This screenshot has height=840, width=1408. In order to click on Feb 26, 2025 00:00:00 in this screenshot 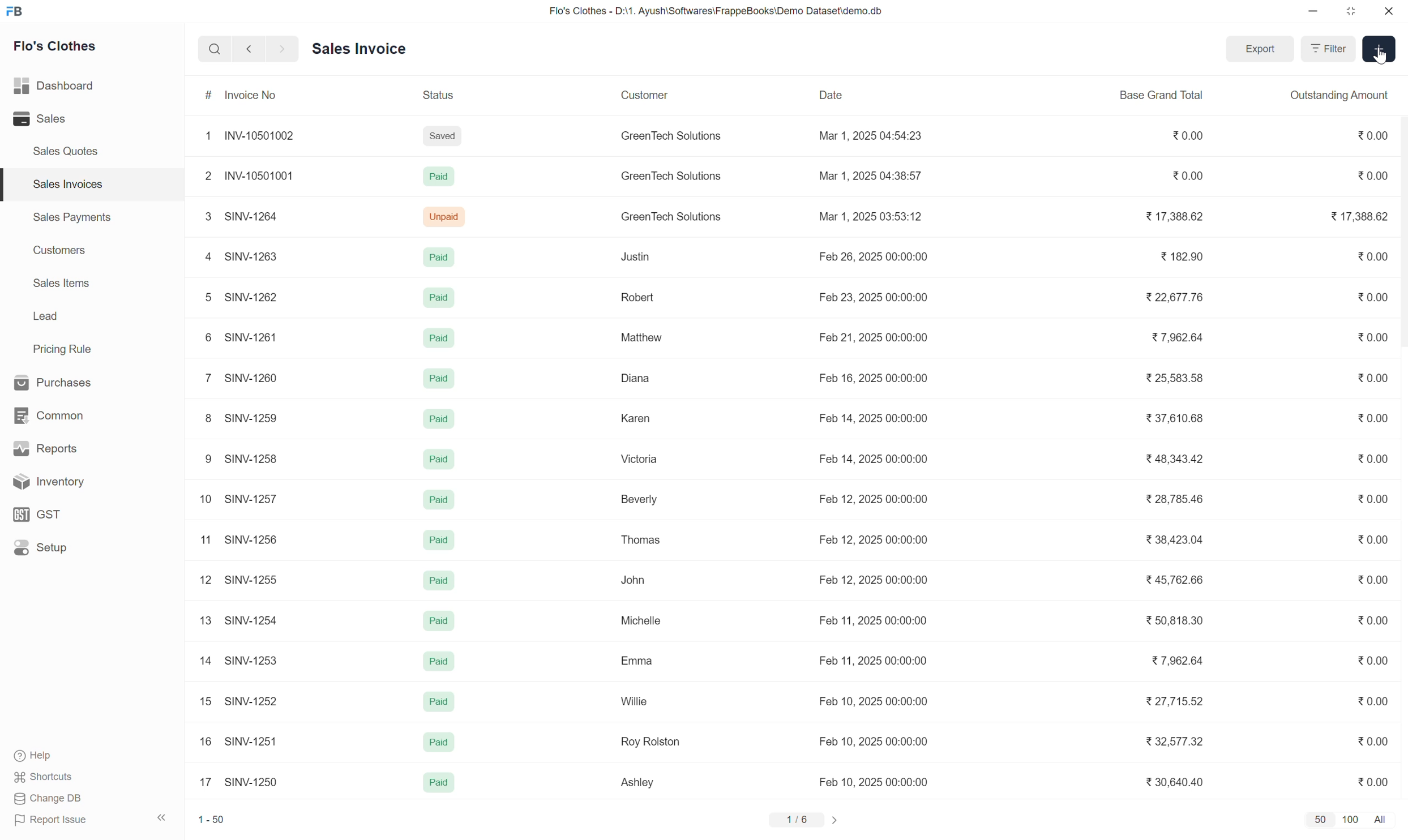, I will do `click(874, 256)`.